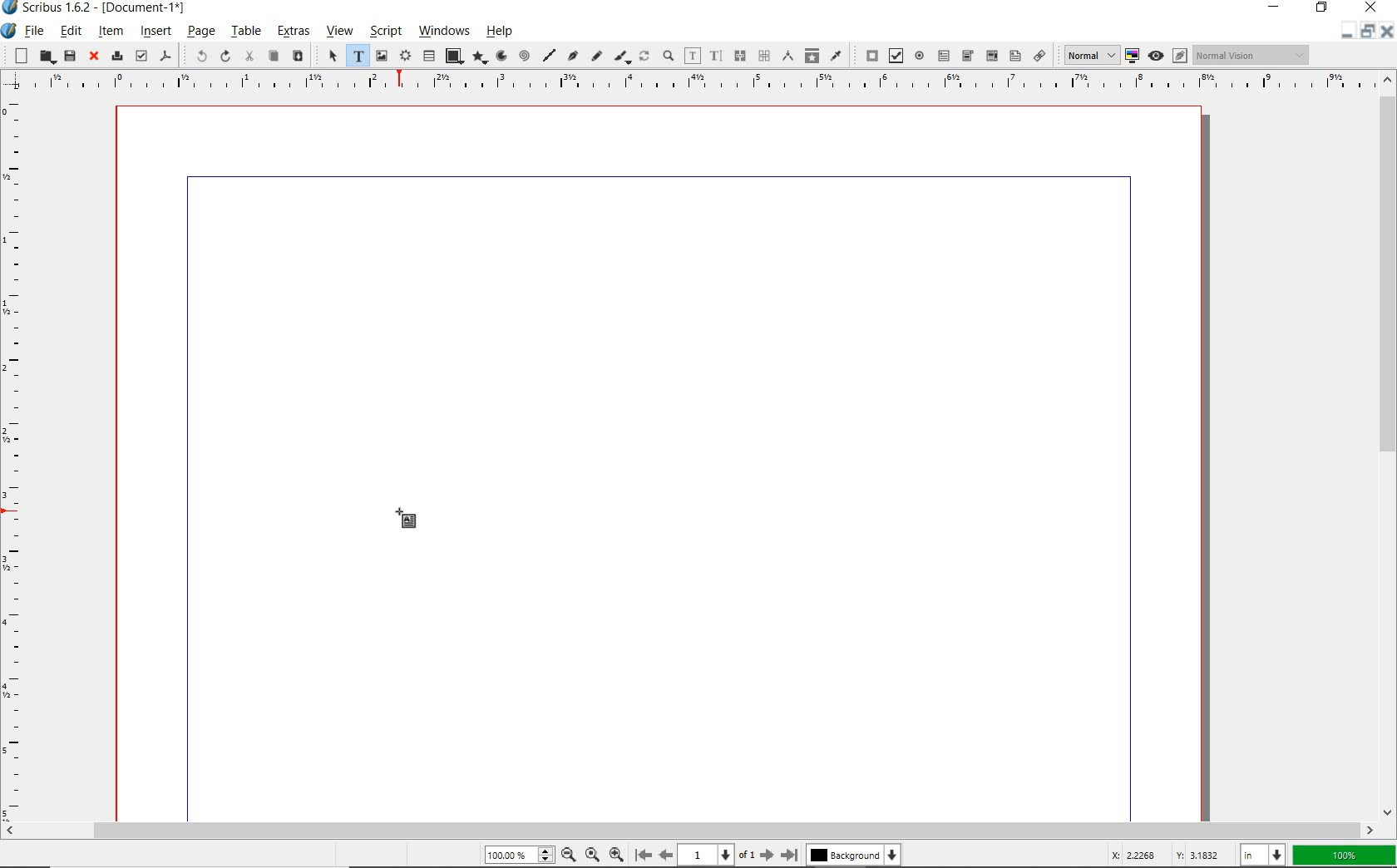  Describe the element at coordinates (23, 458) in the screenshot. I see `Horizontal page margin` at that location.